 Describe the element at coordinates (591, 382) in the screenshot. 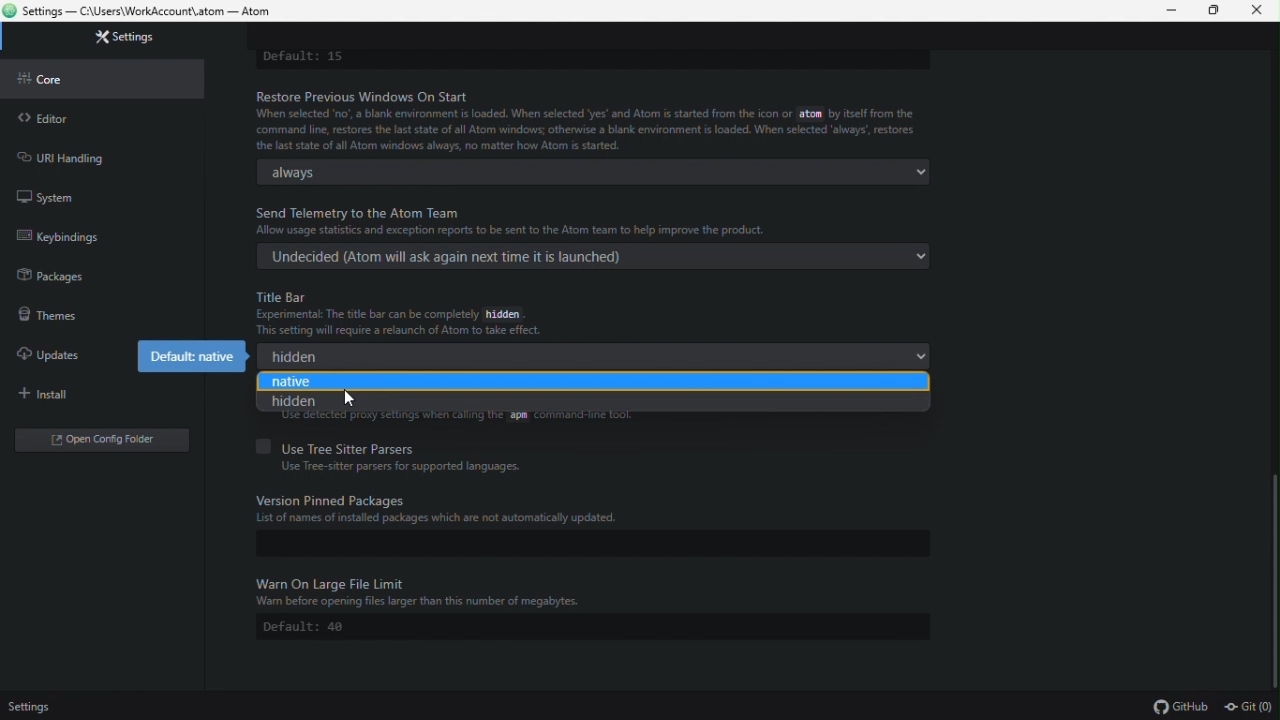

I see `native` at that location.